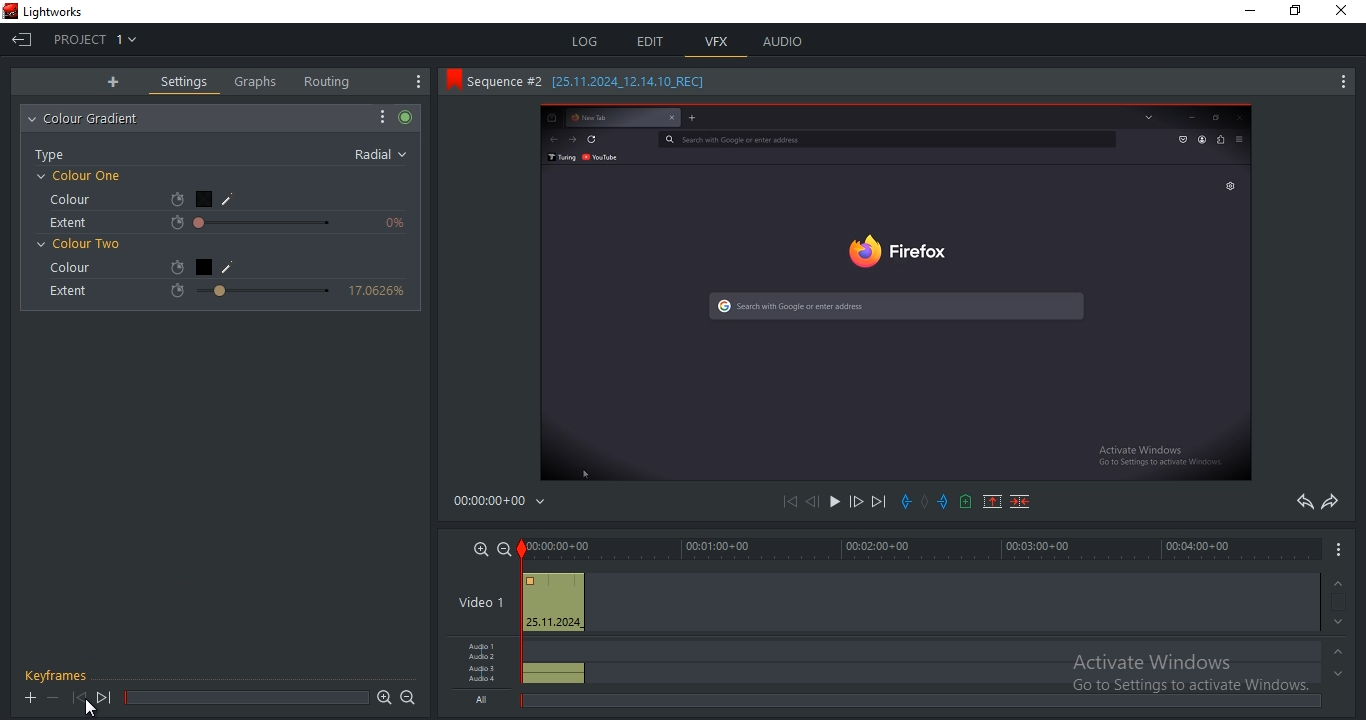 The width and height of the screenshot is (1366, 720). Describe the element at coordinates (484, 670) in the screenshot. I see `Audio 3` at that location.